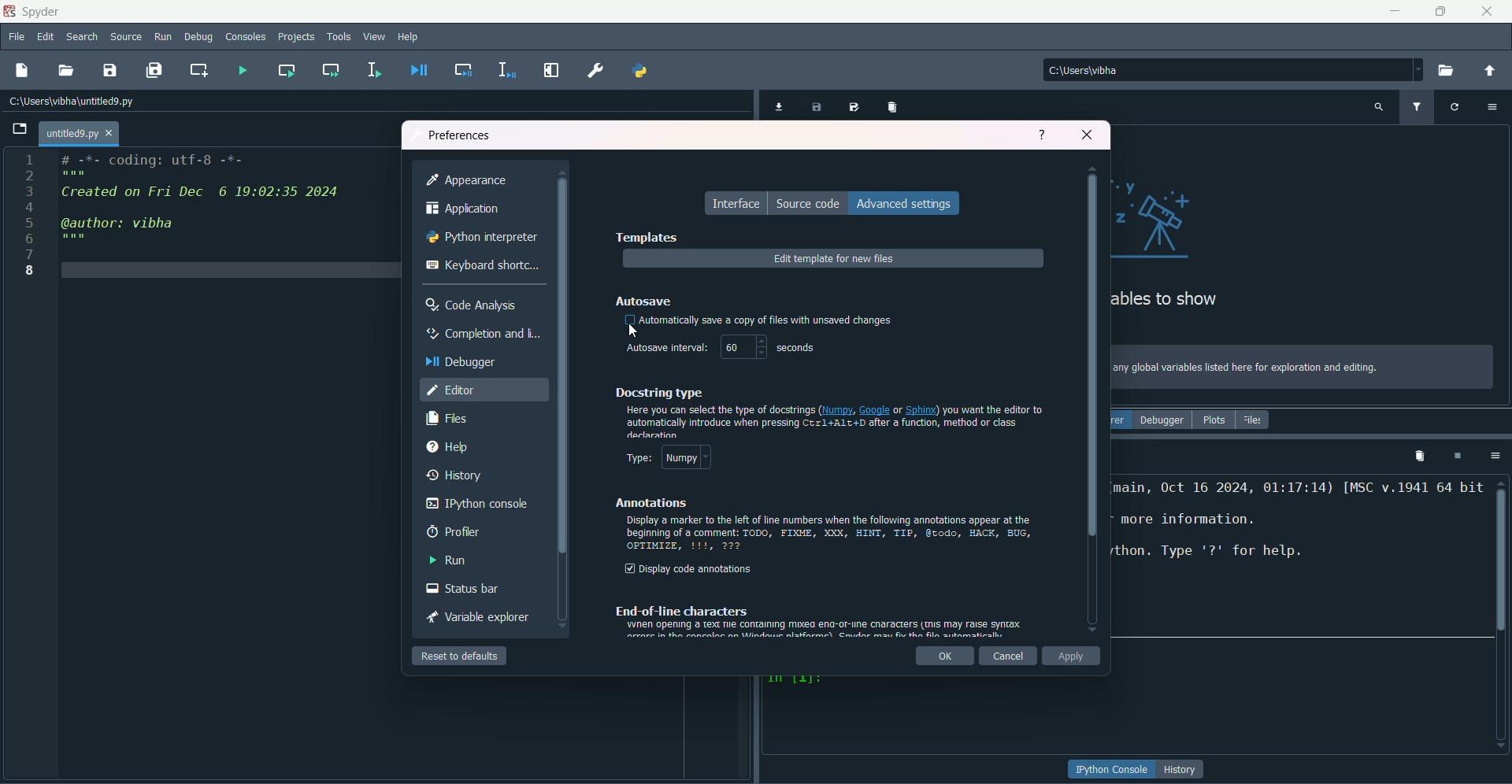 The width and height of the screenshot is (1512, 784). I want to click on Scrollbar, so click(563, 366).